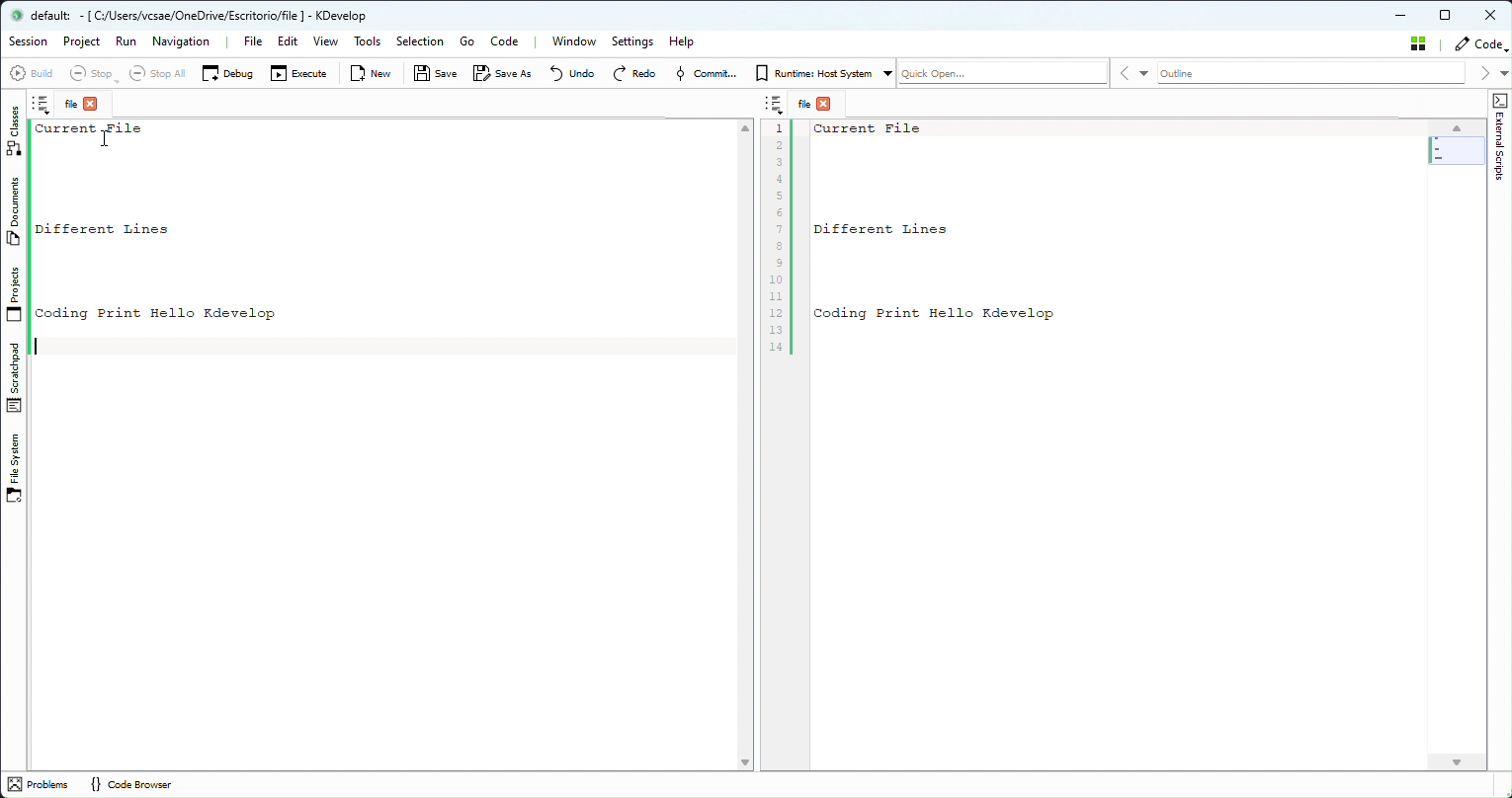  I want to click on Commit, so click(712, 71).